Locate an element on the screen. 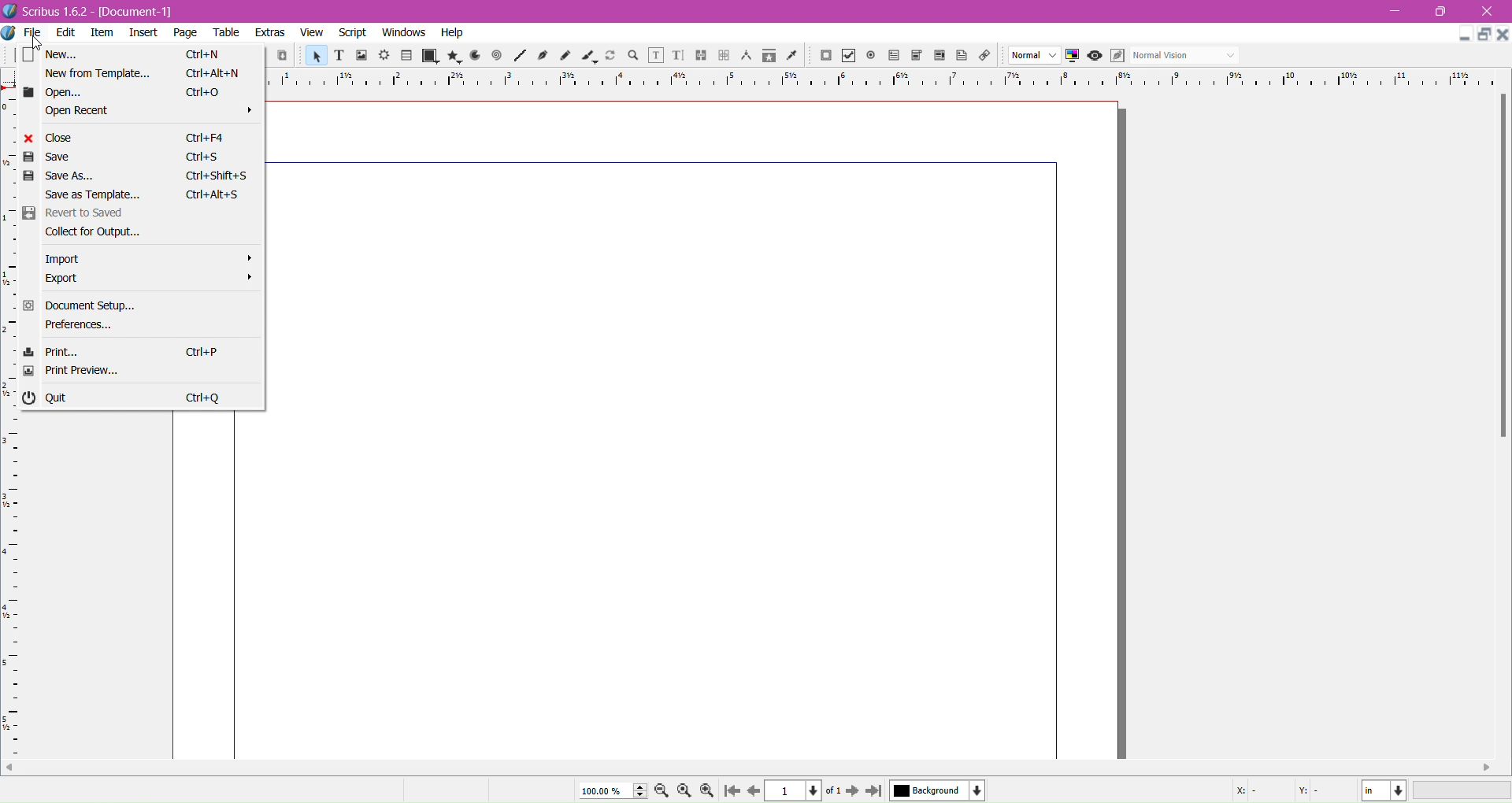  Text Annotation is located at coordinates (962, 55).